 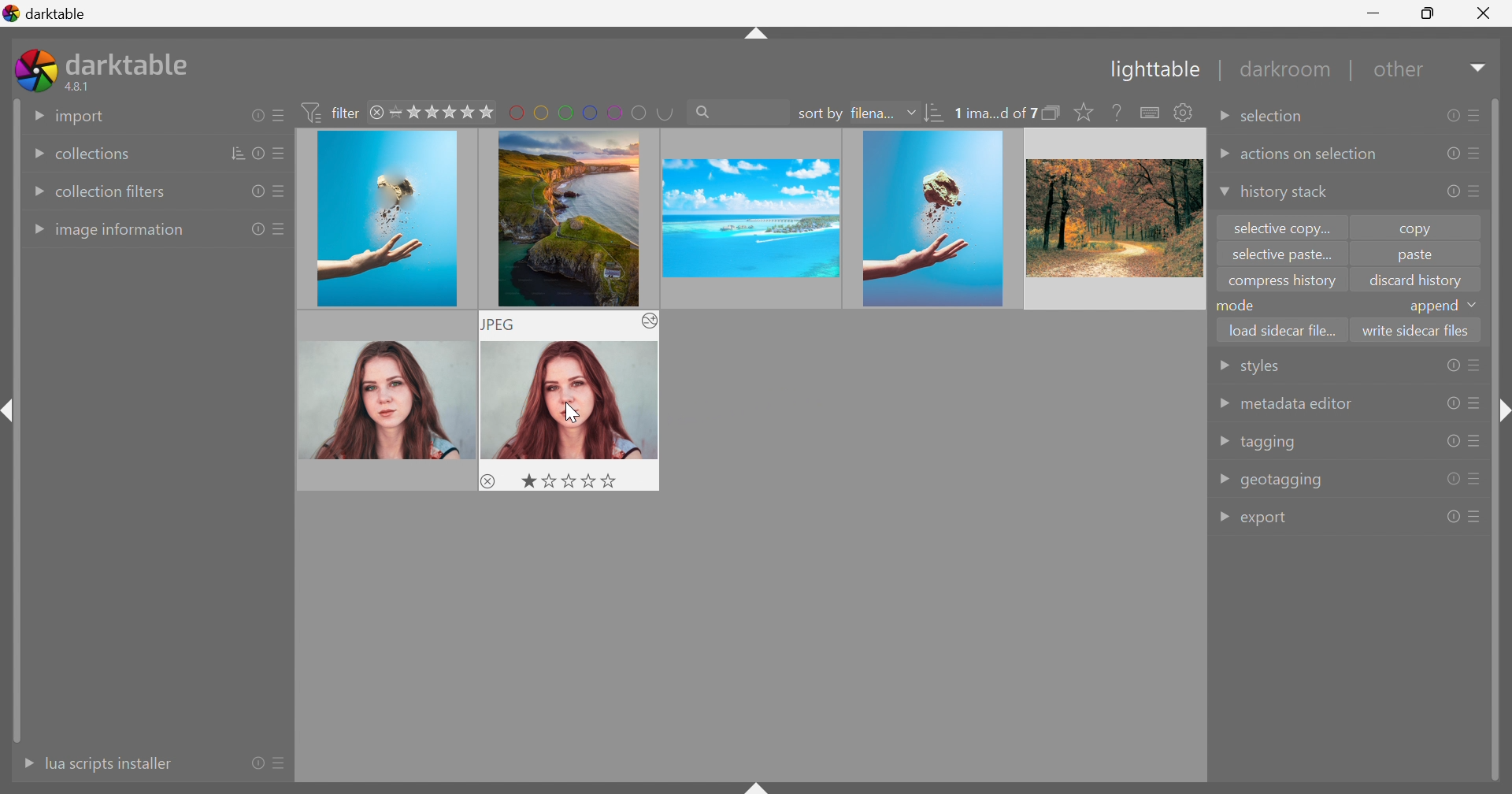 I want to click on other, so click(x=1402, y=74).